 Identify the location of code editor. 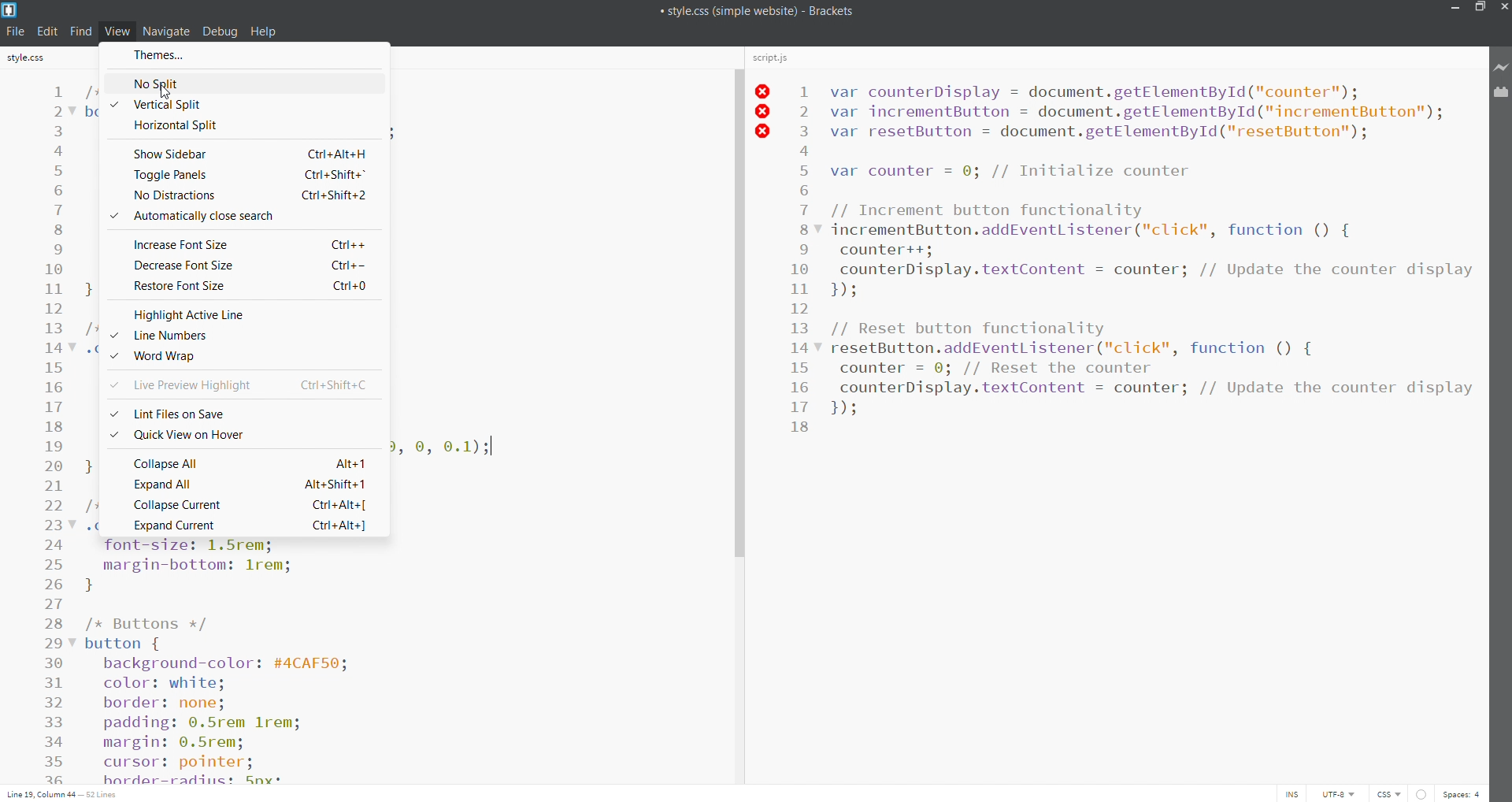
(1151, 428).